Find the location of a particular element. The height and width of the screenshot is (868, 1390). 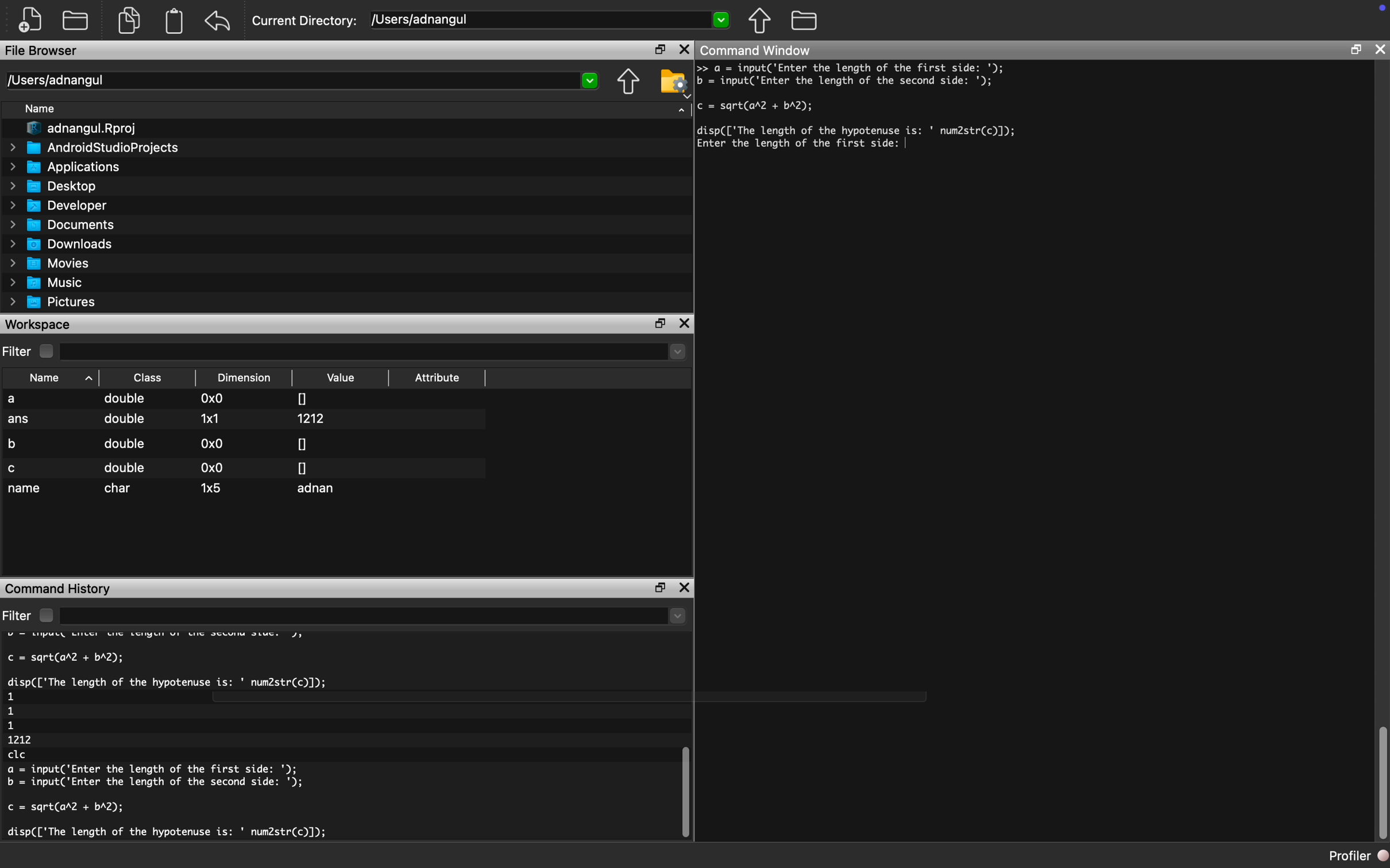

a = input('Enter the length of the first side: ');
= ijoutC Enter the length of the second side: ');

= sqrt(ar2 + bA2);

isp(['The length of the hypotenuse is: ' num2str(c)]); is located at coordinates (894, 110).